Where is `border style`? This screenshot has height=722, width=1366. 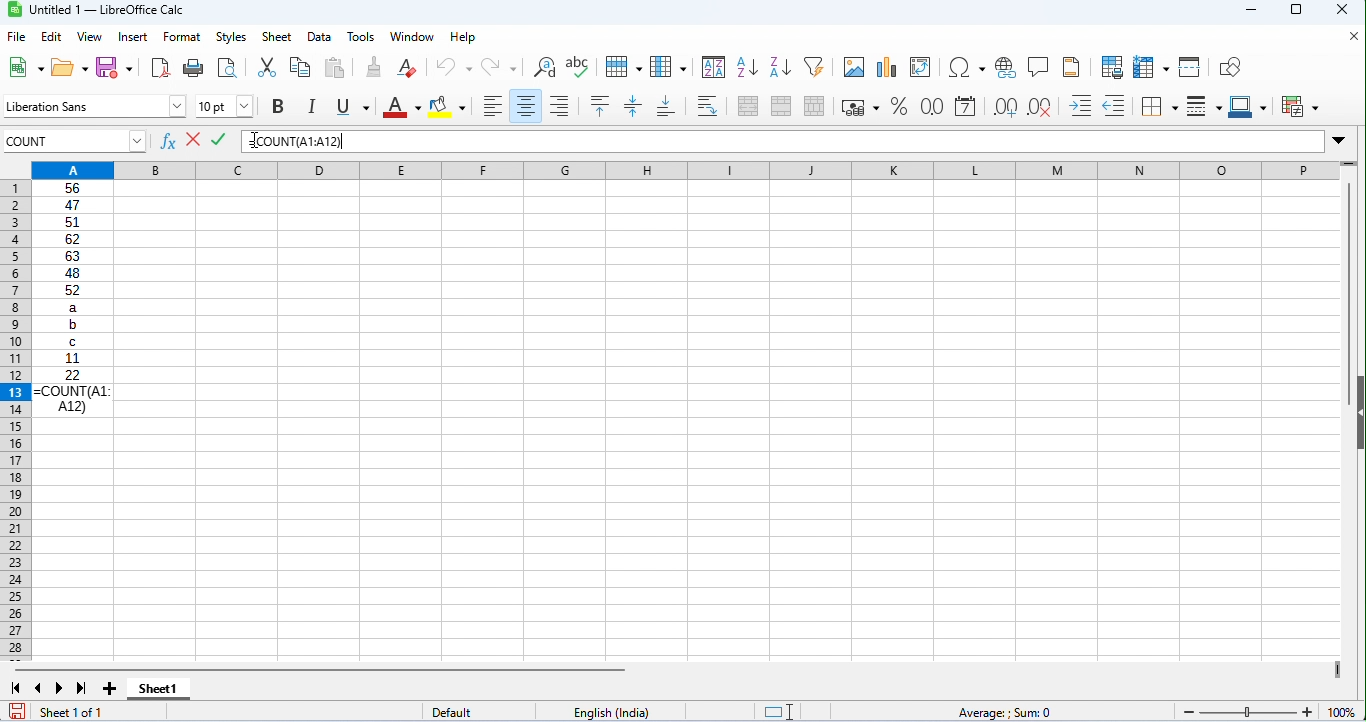 border style is located at coordinates (1204, 106).